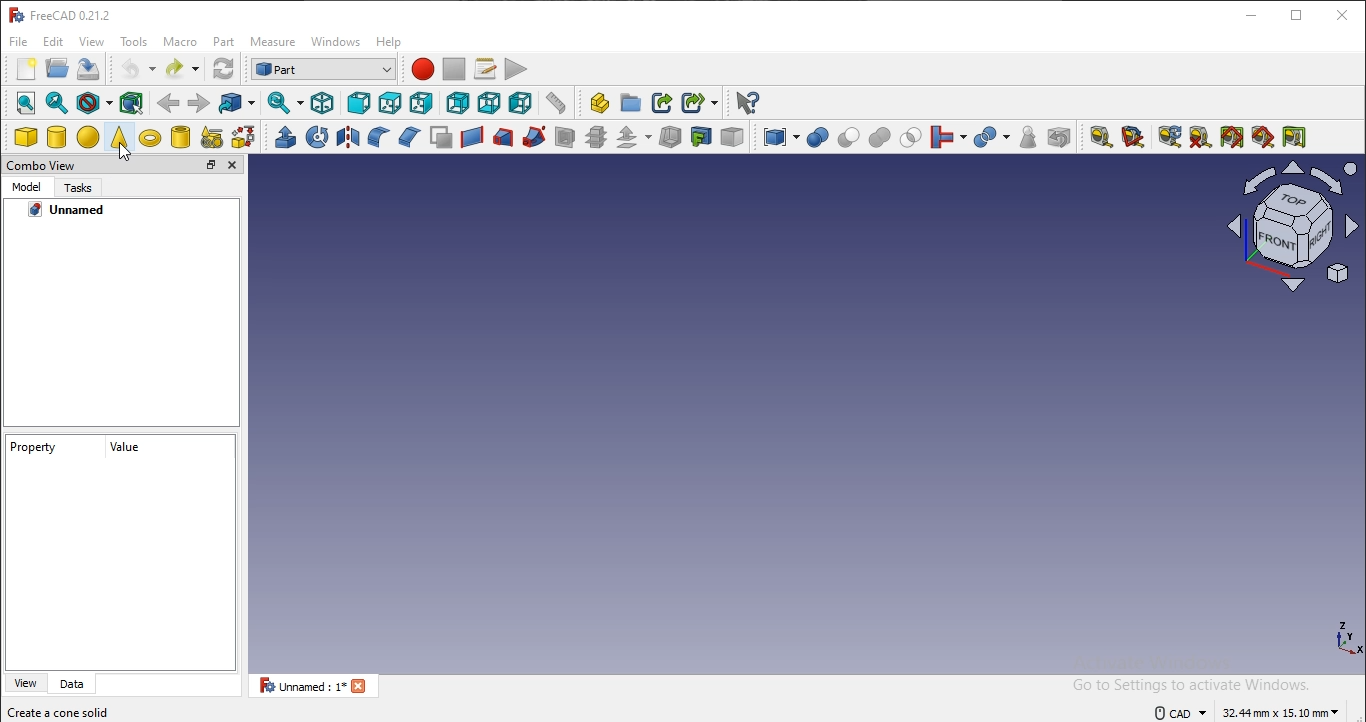 This screenshot has height=722, width=1366. What do you see at coordinates (522, 102) in the screenshot?
I see `left` at bounding box center [522, 102].